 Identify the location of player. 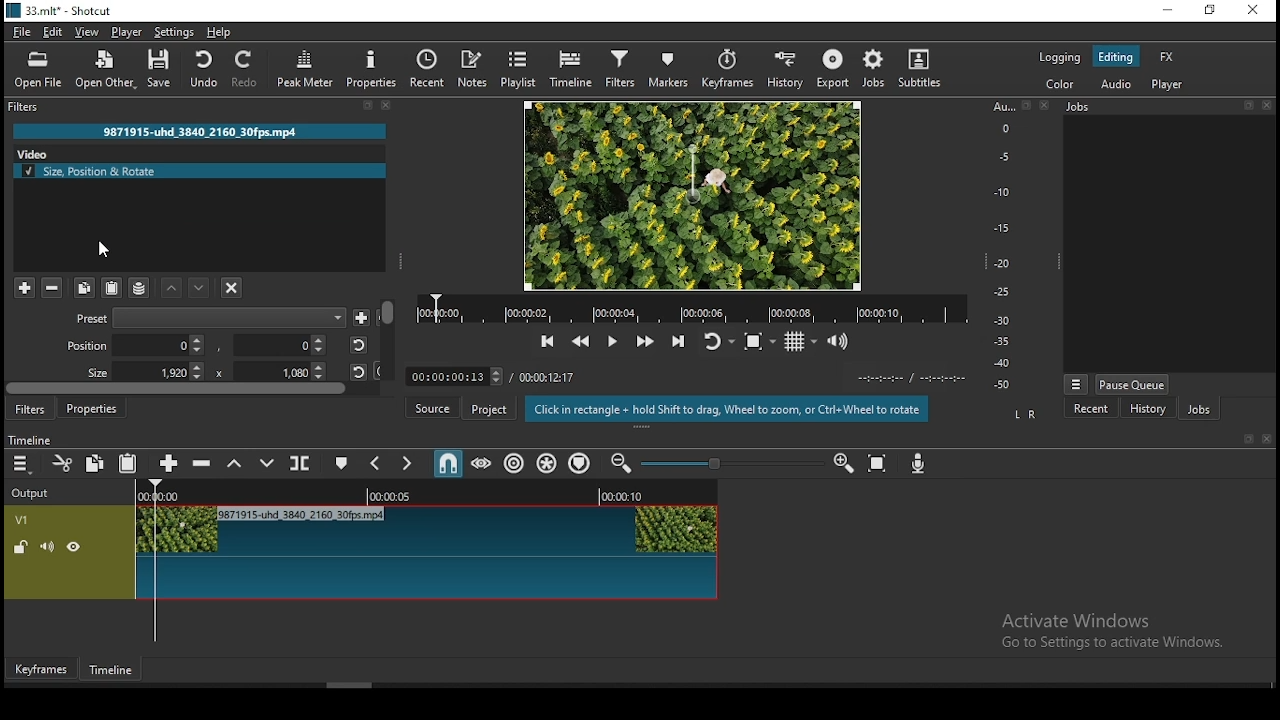
(1172, 85).